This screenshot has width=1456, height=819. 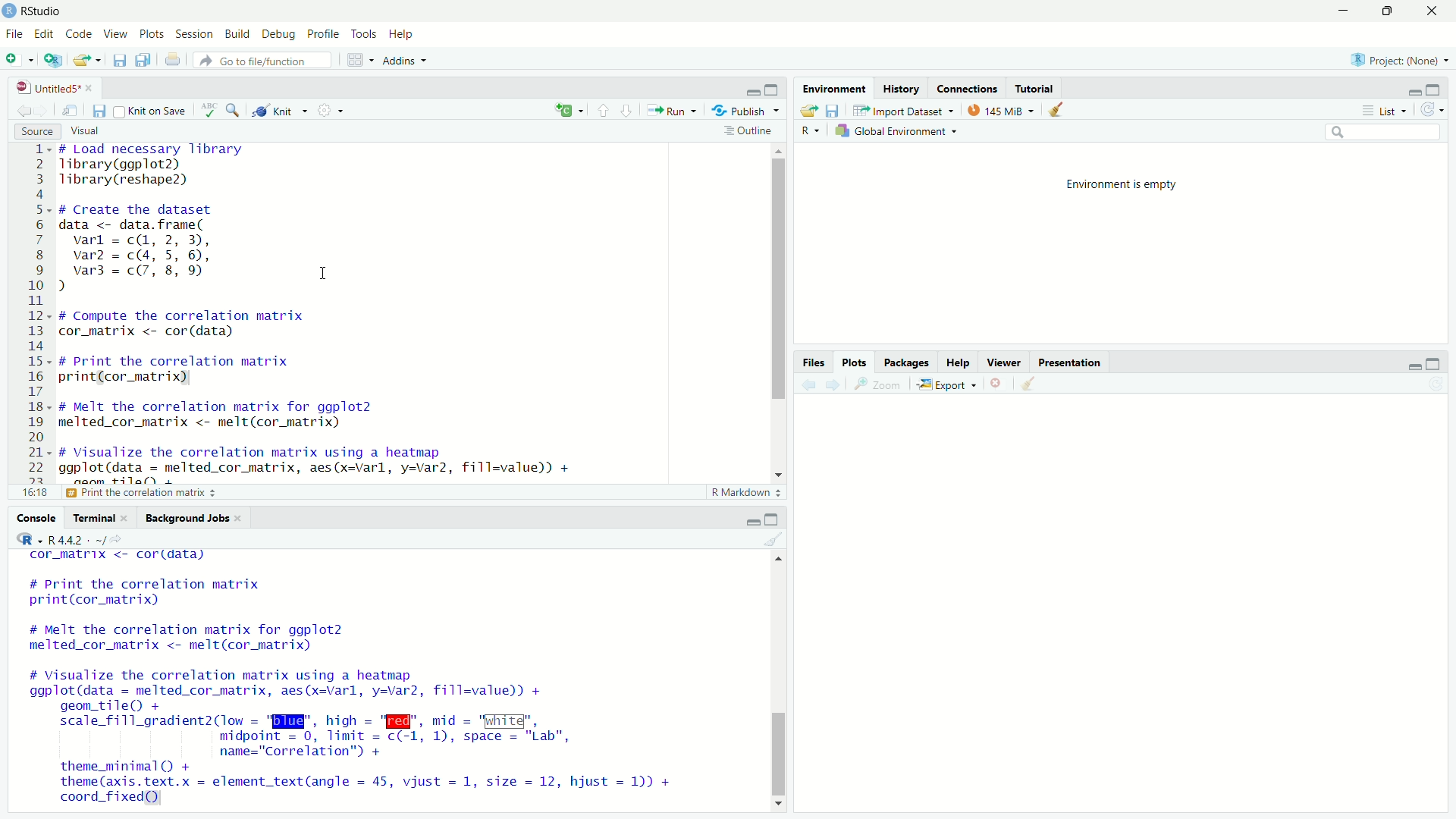 What do you see at coordinates (854, 362) in the screenshot?
I see `plots` at bounding box center [854, 362].